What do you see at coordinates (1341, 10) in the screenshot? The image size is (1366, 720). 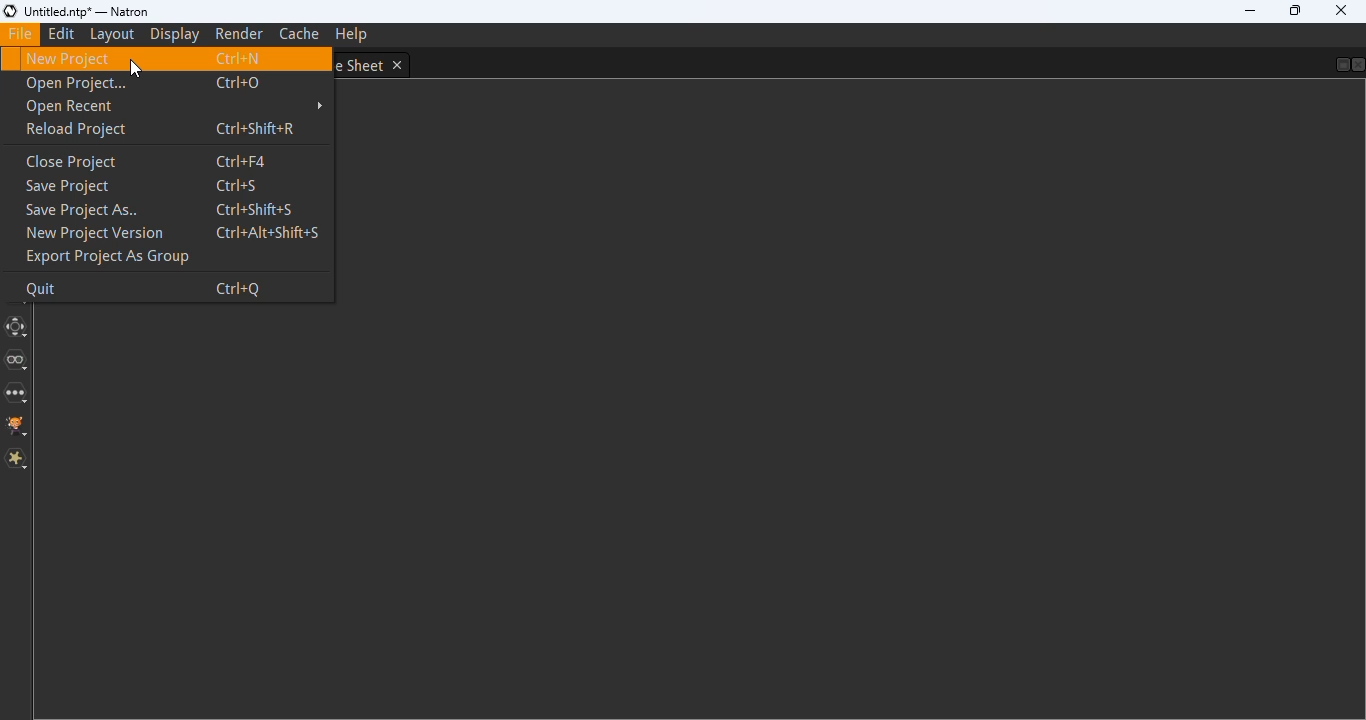 I see `close` at bounding box center [1341, 10].